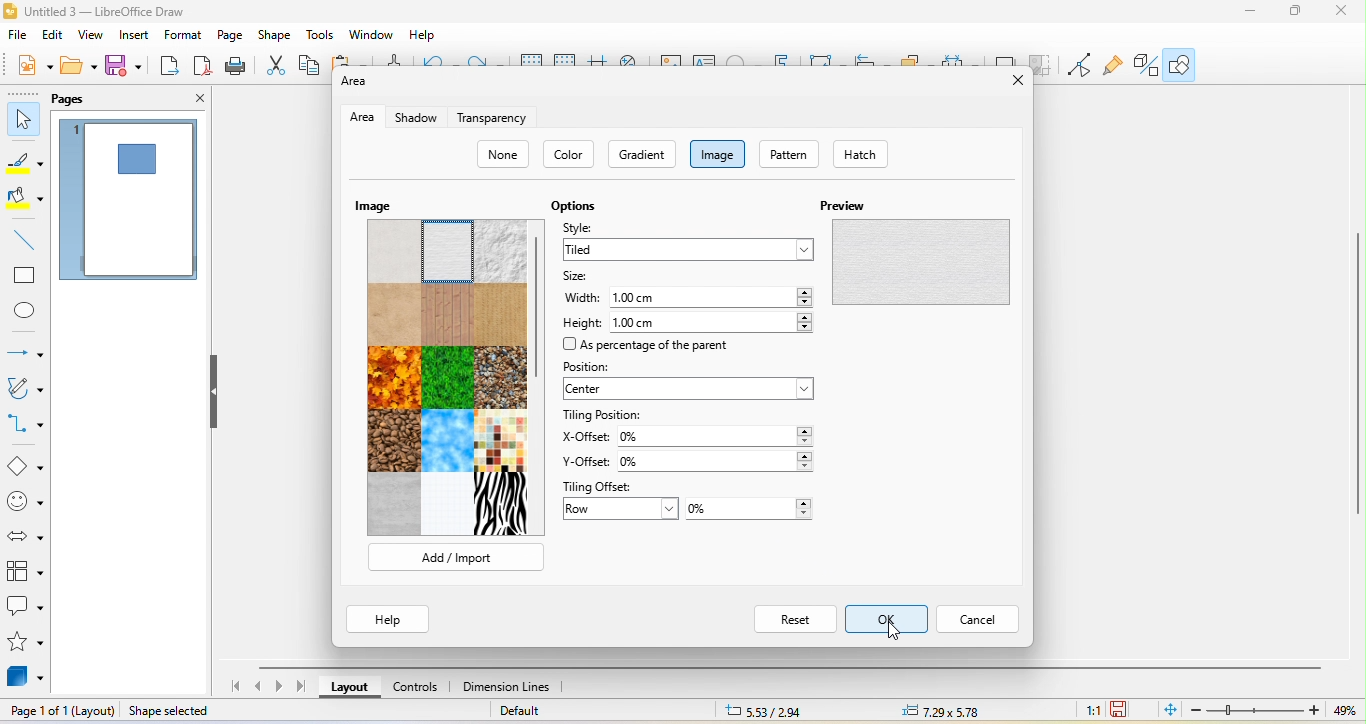  Describe the element at coordinates (234, 37) in the screenshot. I see `page` at that location.